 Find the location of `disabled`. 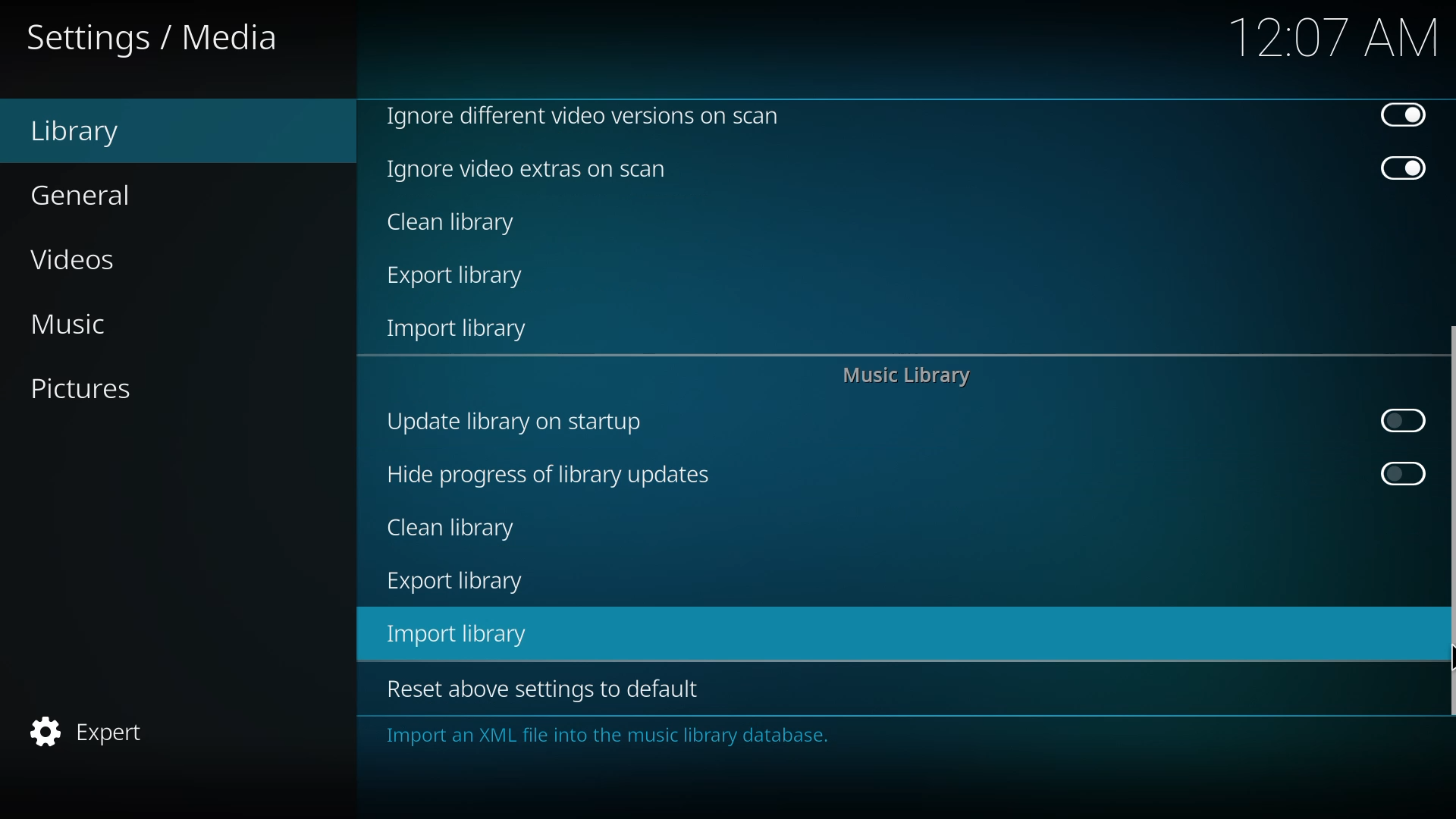

disabled is located at coordinates (1403, 170).